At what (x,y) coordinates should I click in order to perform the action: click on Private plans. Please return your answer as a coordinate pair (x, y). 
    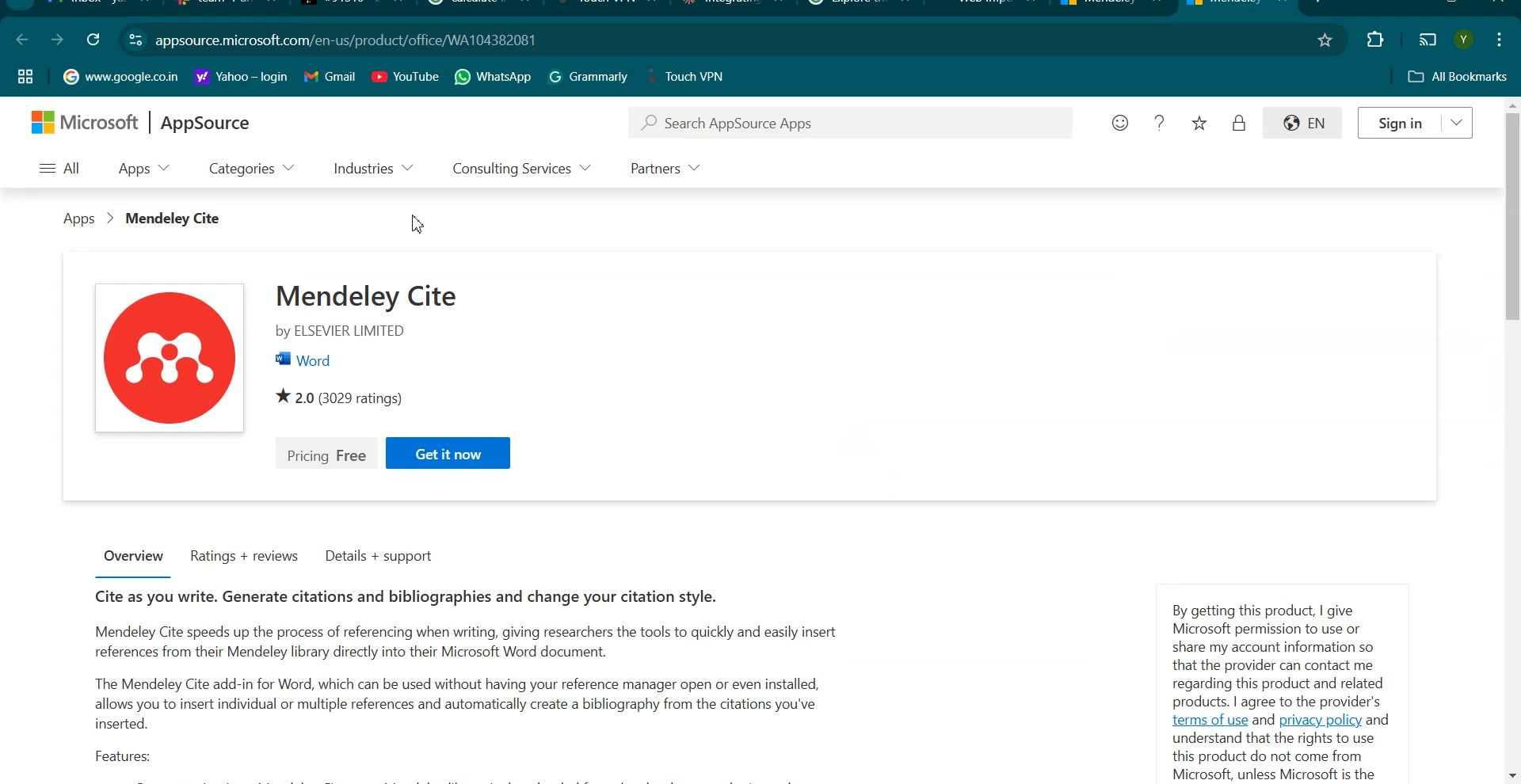
    Looking at the image, I should click on (1240, 122).